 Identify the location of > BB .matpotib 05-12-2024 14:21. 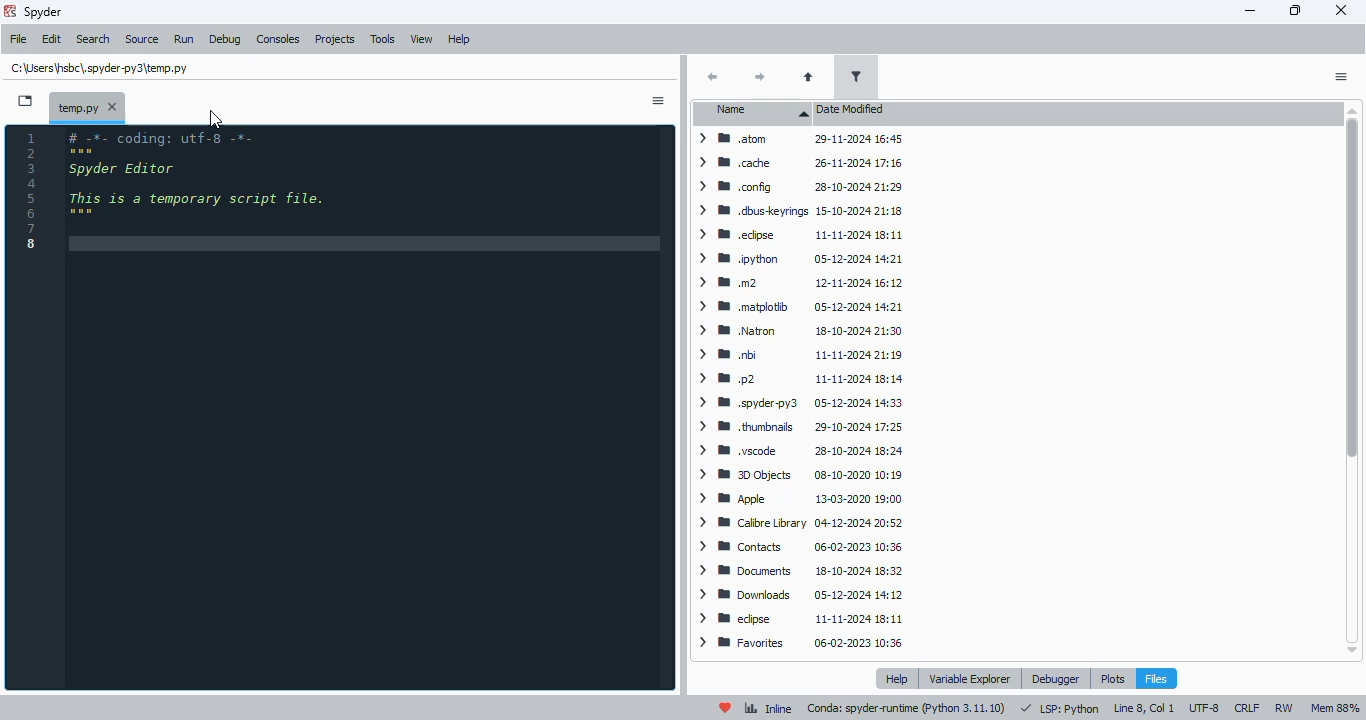
(797, 307).